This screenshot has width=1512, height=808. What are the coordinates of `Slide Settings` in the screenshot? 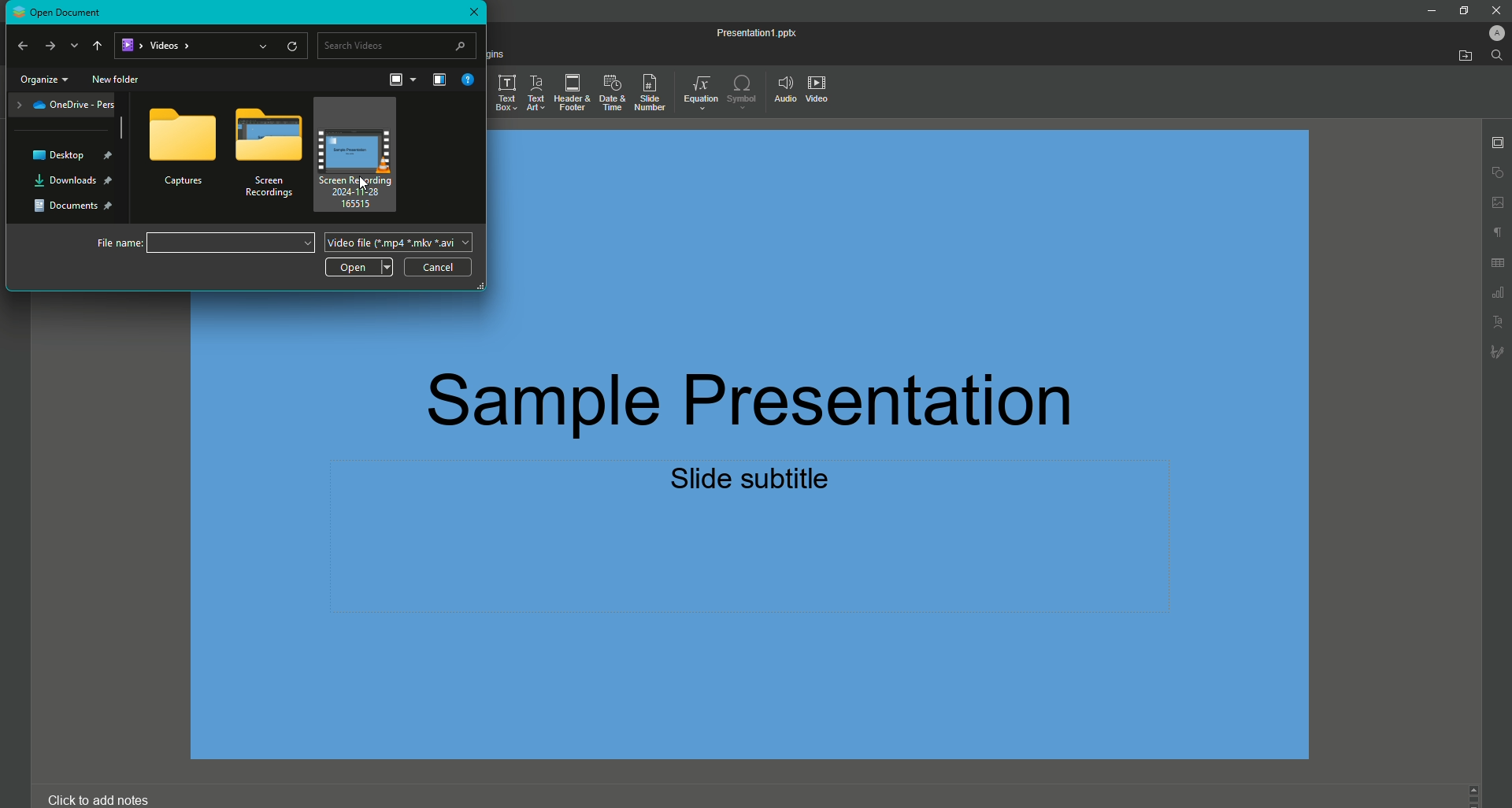 It's located at (1494, 143).